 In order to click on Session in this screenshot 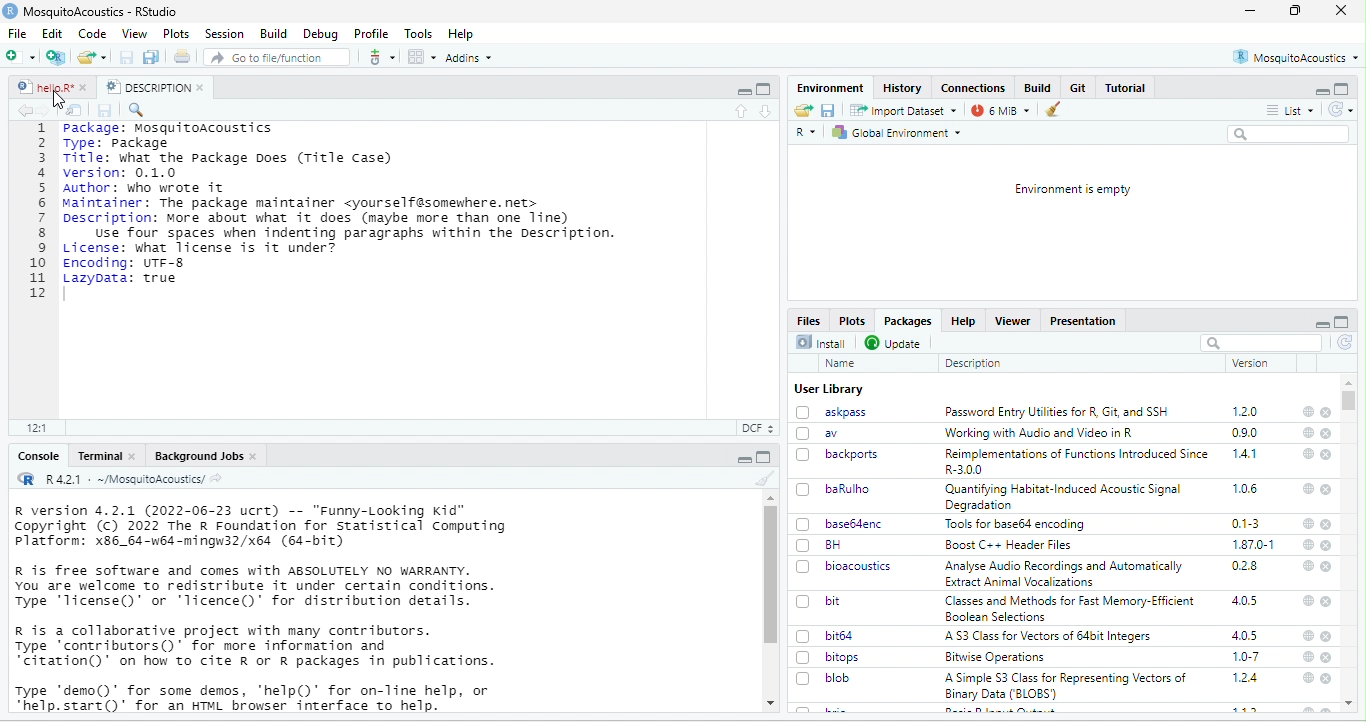, I will do `click(224, 34)`.